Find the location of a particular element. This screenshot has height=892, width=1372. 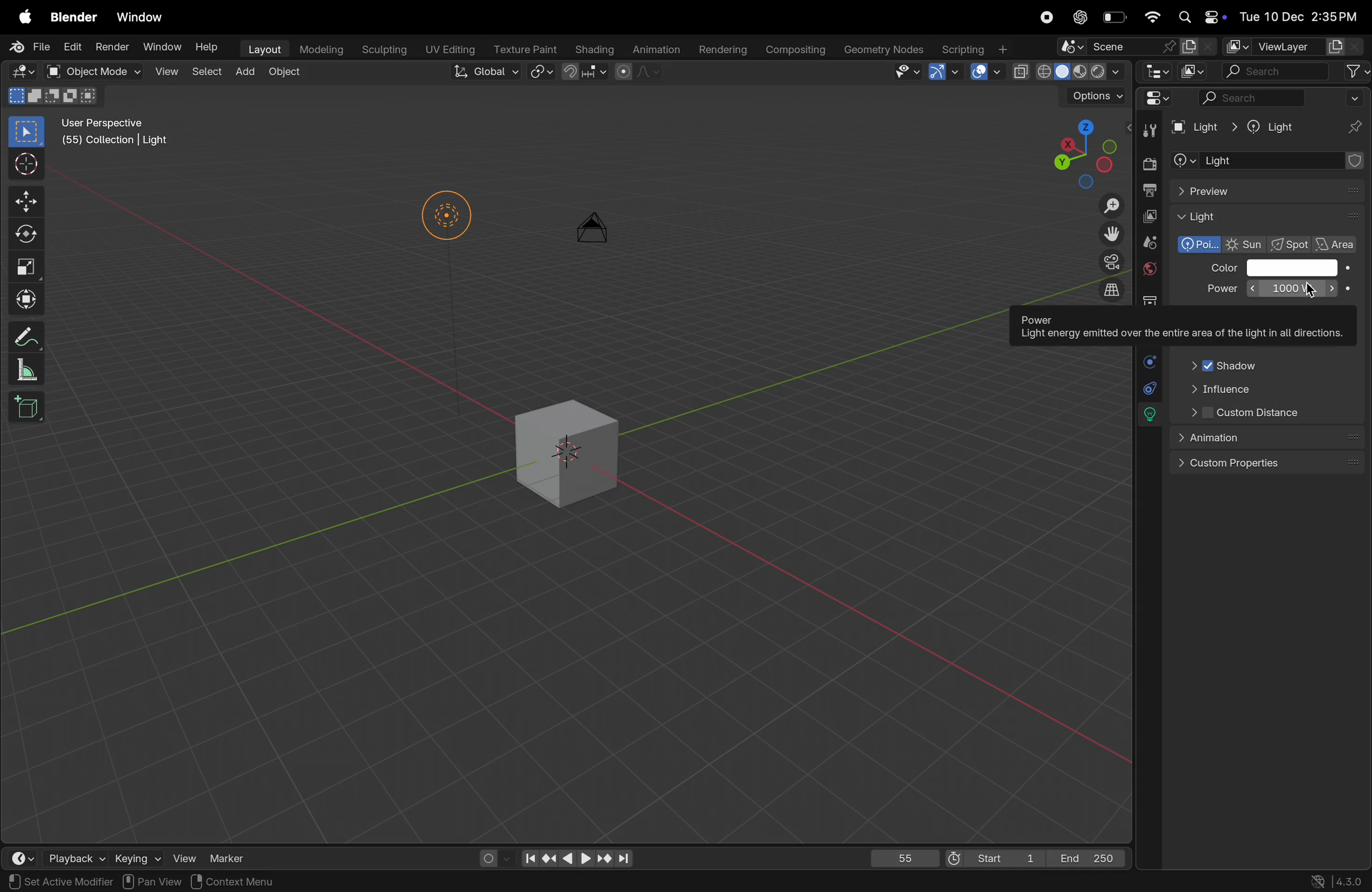

Light is located at coordinates (1266, 218).